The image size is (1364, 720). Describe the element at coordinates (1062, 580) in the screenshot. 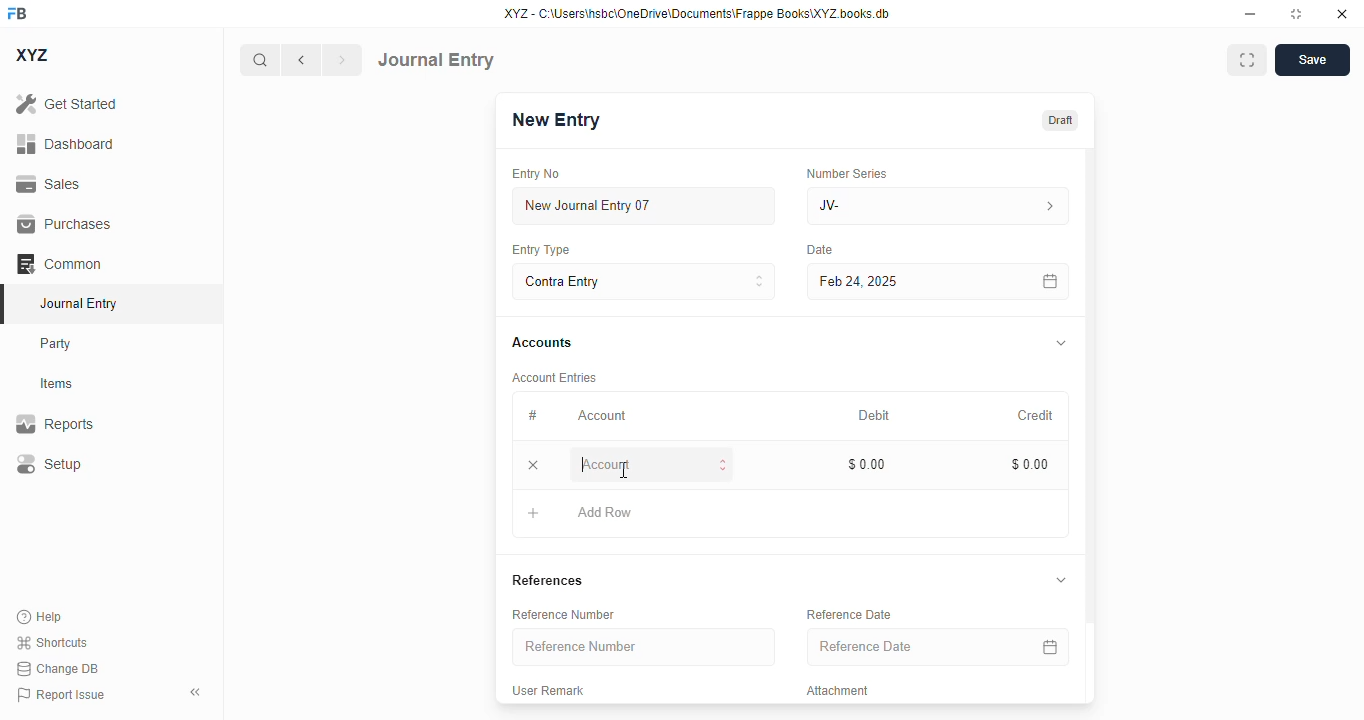

I see `toggle expand/collapse` at that location.